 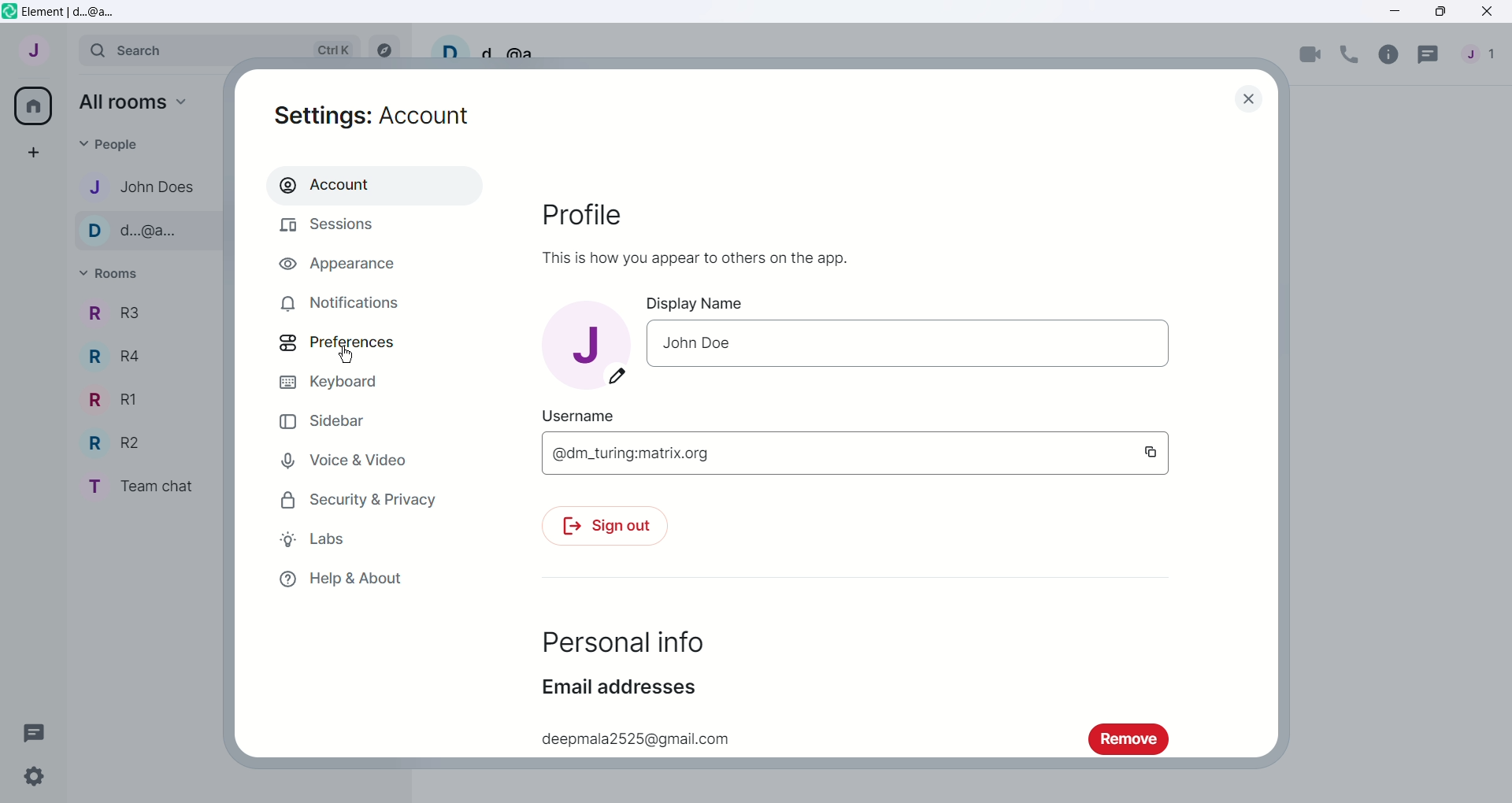 What do you see at coordinates (361, 303) in the screenshot?
I see `Notifications` at bounding box center [361, 303].